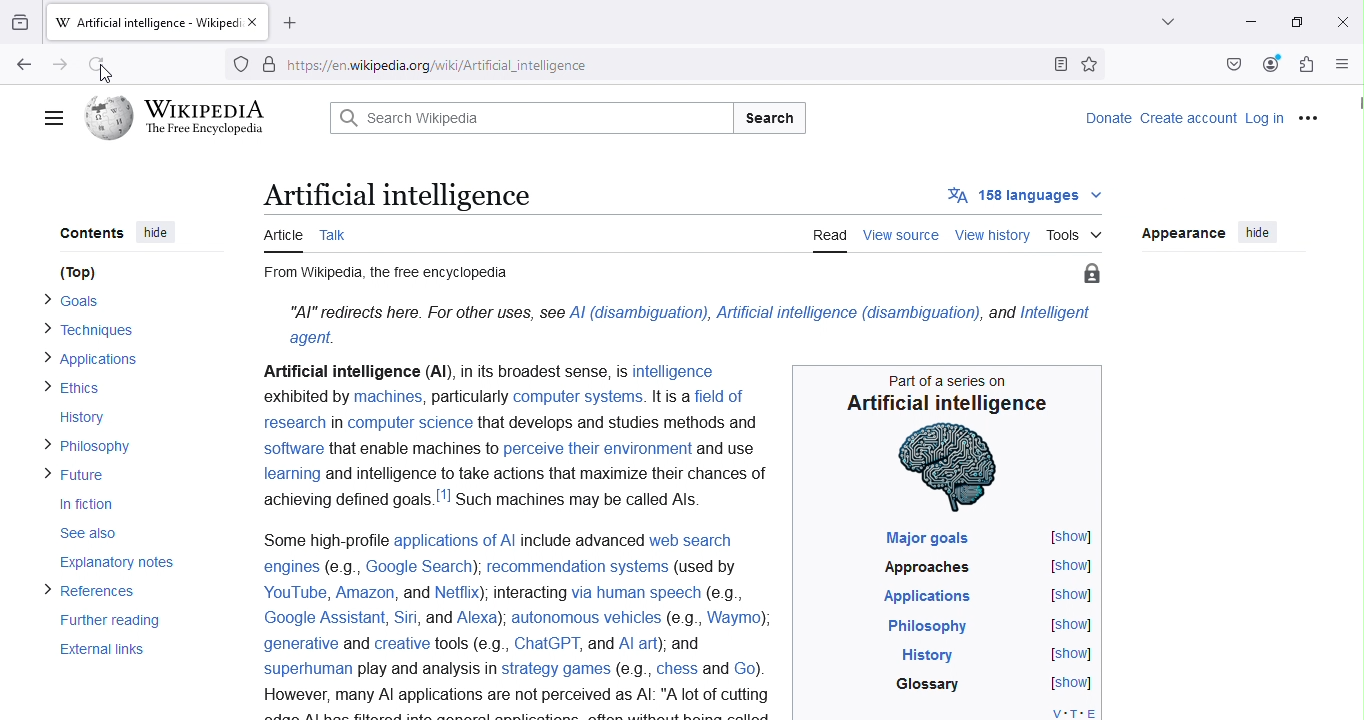 The height and width of the screenshot is (720, 1364). What do you see at coordinates (1074, 628) in the screenshot?
I see `[show]` at bounding box center [1074, 628].